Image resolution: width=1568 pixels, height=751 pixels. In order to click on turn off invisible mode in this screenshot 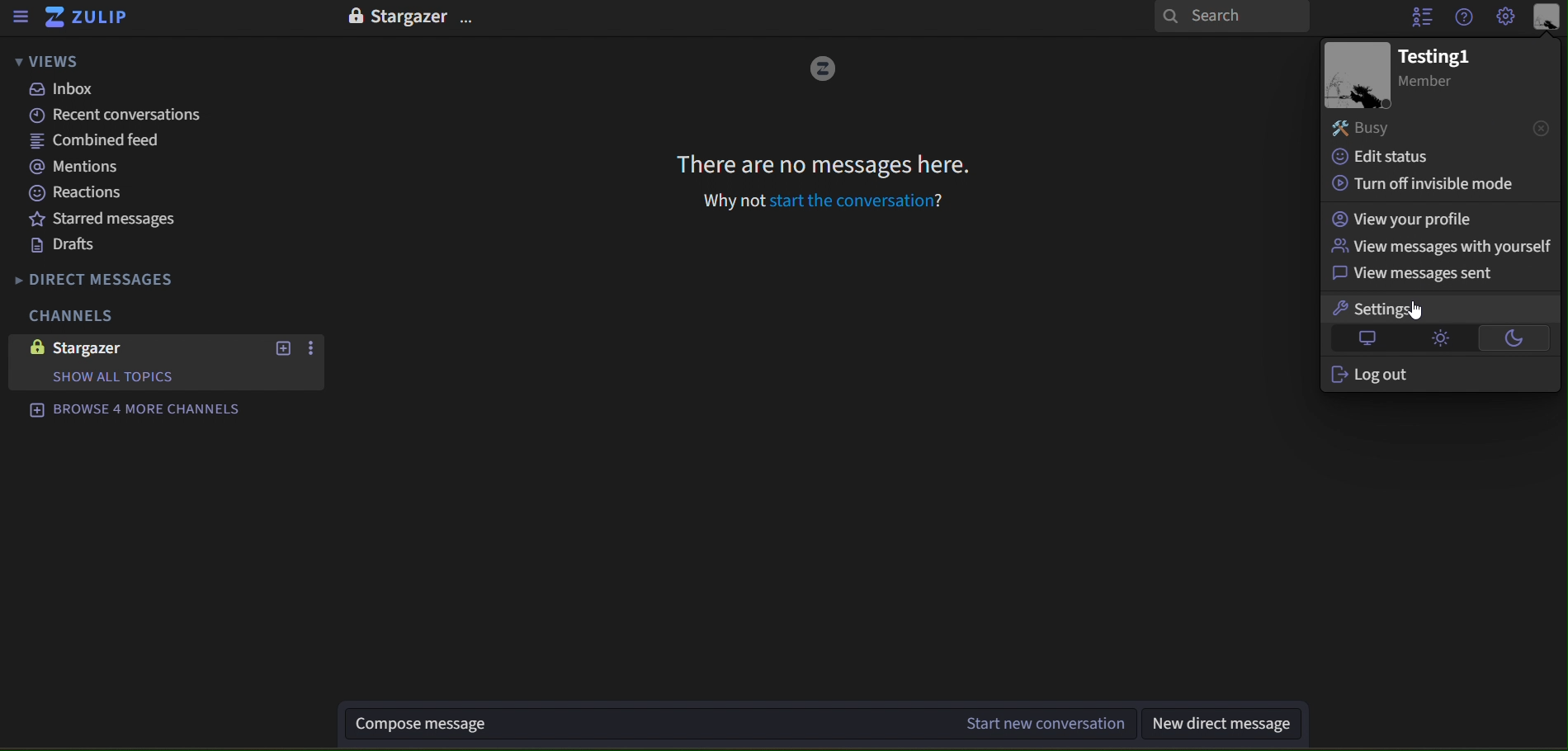, I will do `click(1404, 219)`.